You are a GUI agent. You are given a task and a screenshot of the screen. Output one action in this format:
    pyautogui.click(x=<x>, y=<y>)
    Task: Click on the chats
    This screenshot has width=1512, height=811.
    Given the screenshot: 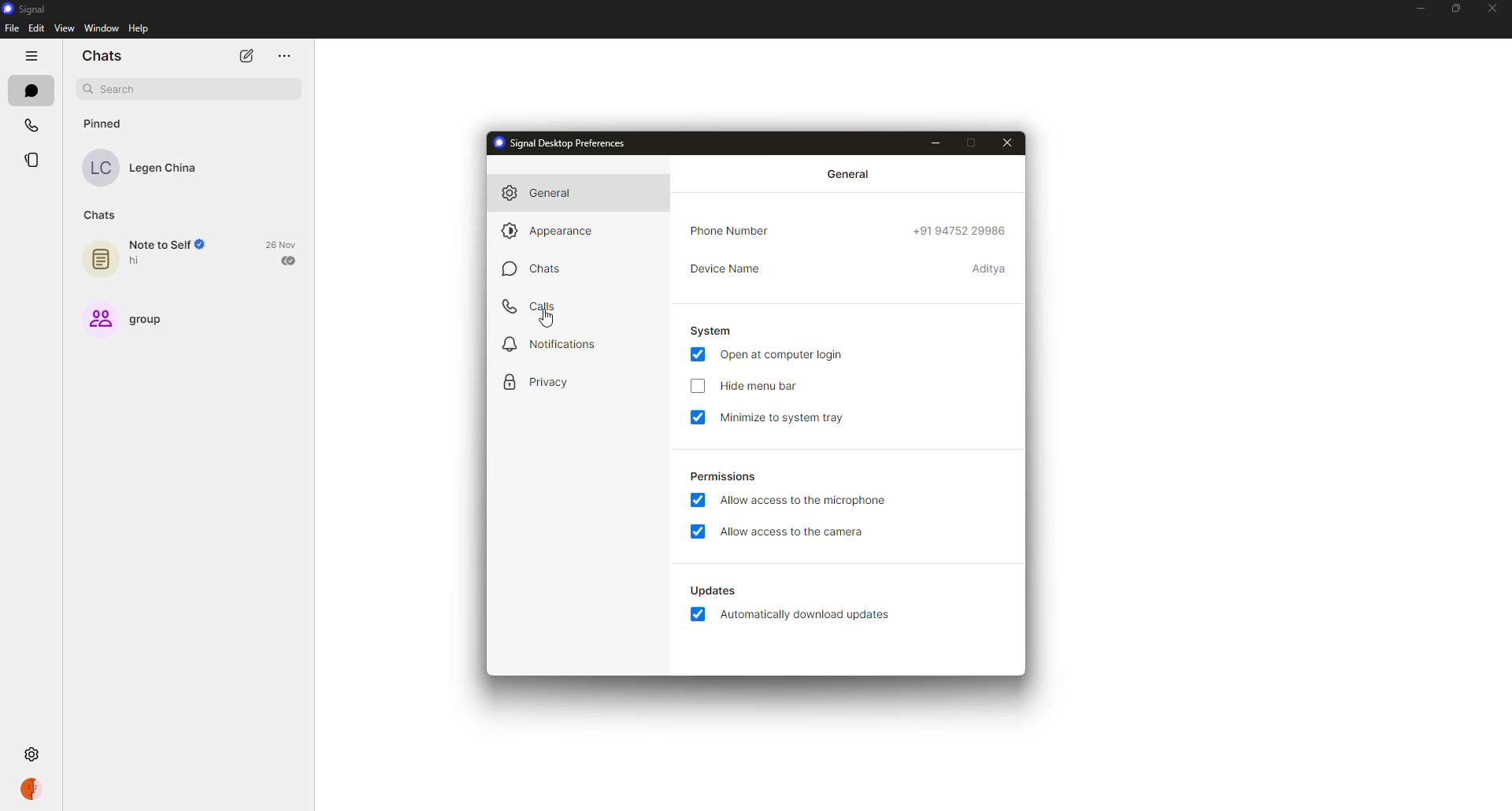 What is the action you would take?
    pyautogui.click(x=98, y=216)
    